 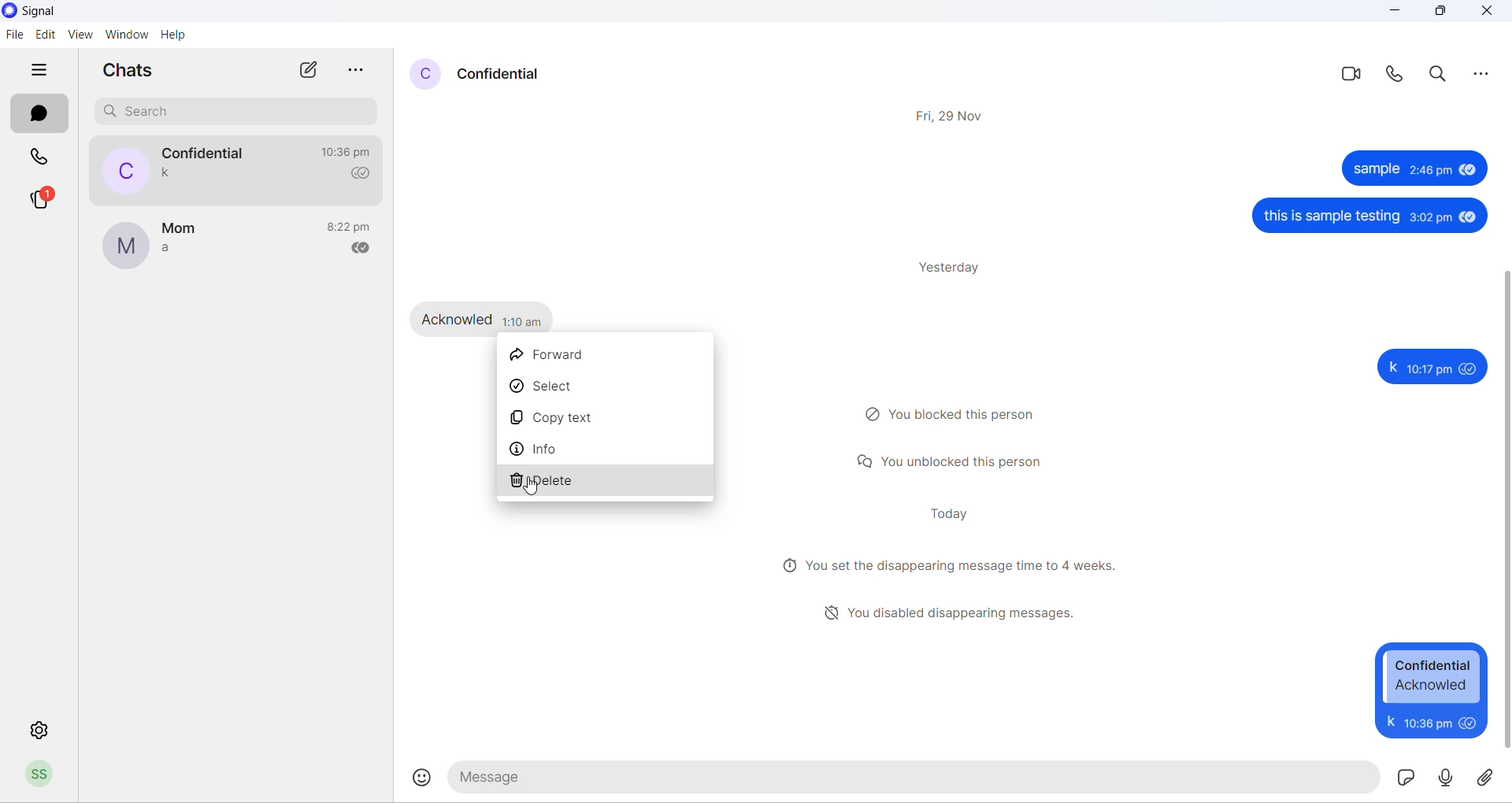 I want to click on 1:10 am, so click(x=525, y=320).